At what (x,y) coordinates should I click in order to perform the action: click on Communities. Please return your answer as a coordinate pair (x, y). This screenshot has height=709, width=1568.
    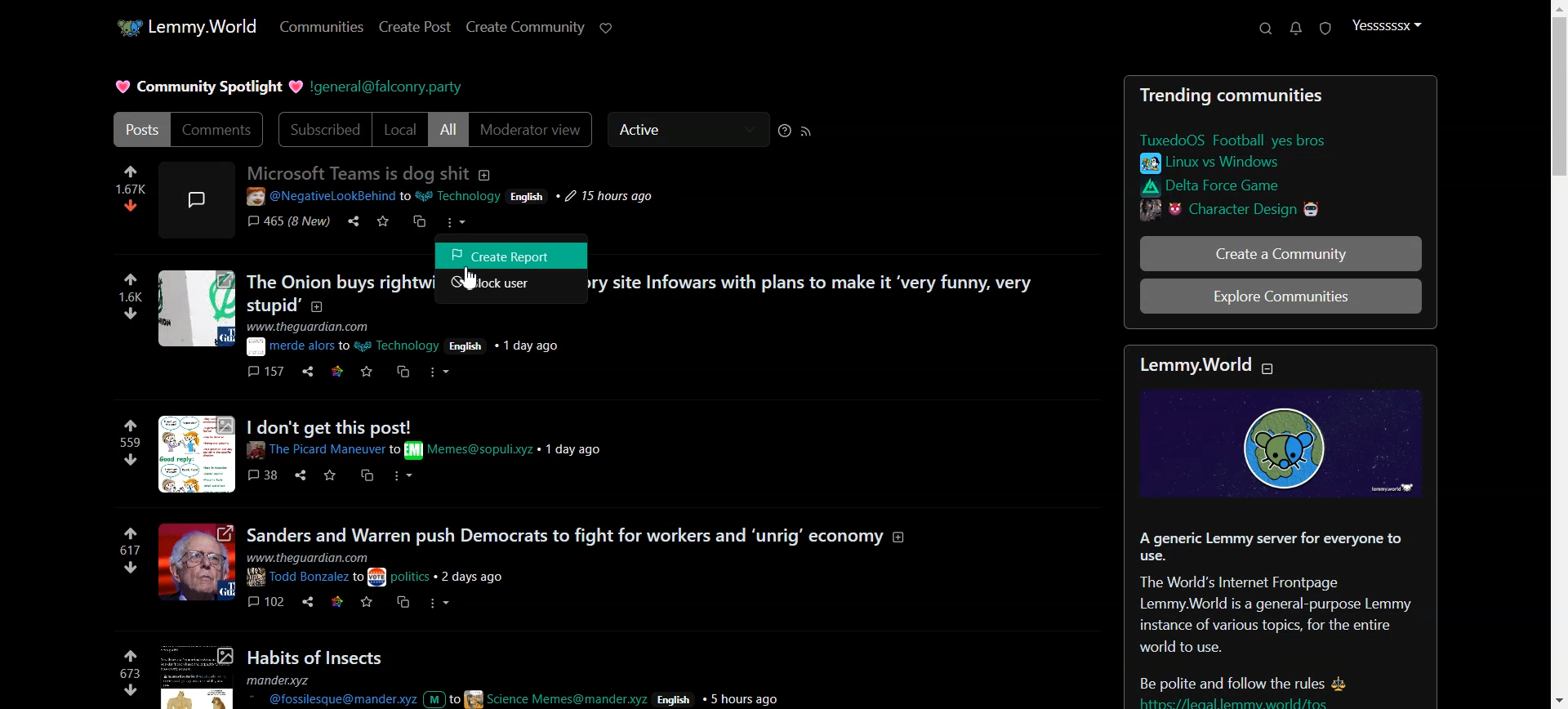
    Looking at the image, I should click on (322, 26).